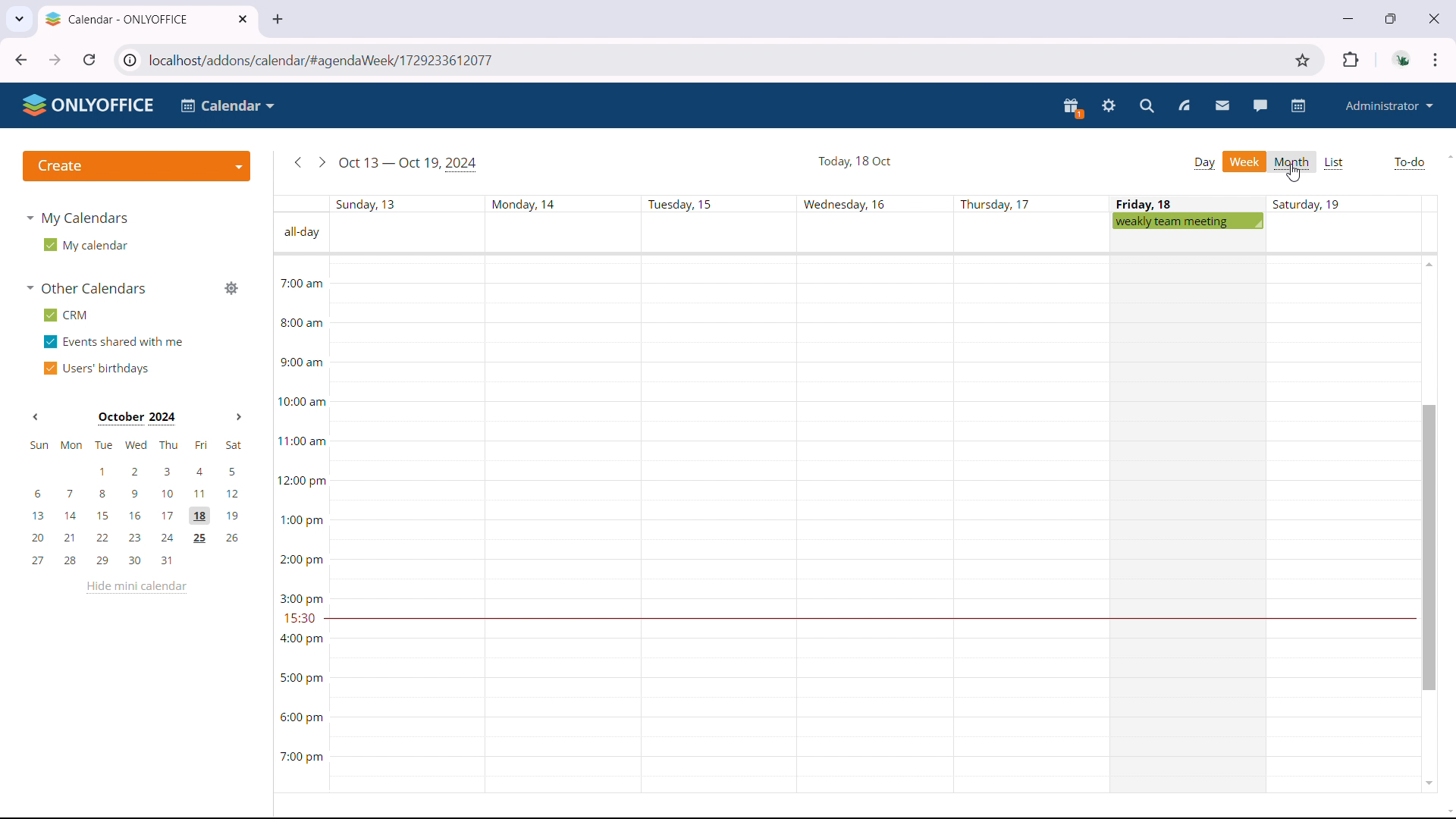 The width and height of the screenshot is (1456, 819). Describe the element at coordinates (1428, 783) in the screenshot. I see `scroll down in calendar` at that location.